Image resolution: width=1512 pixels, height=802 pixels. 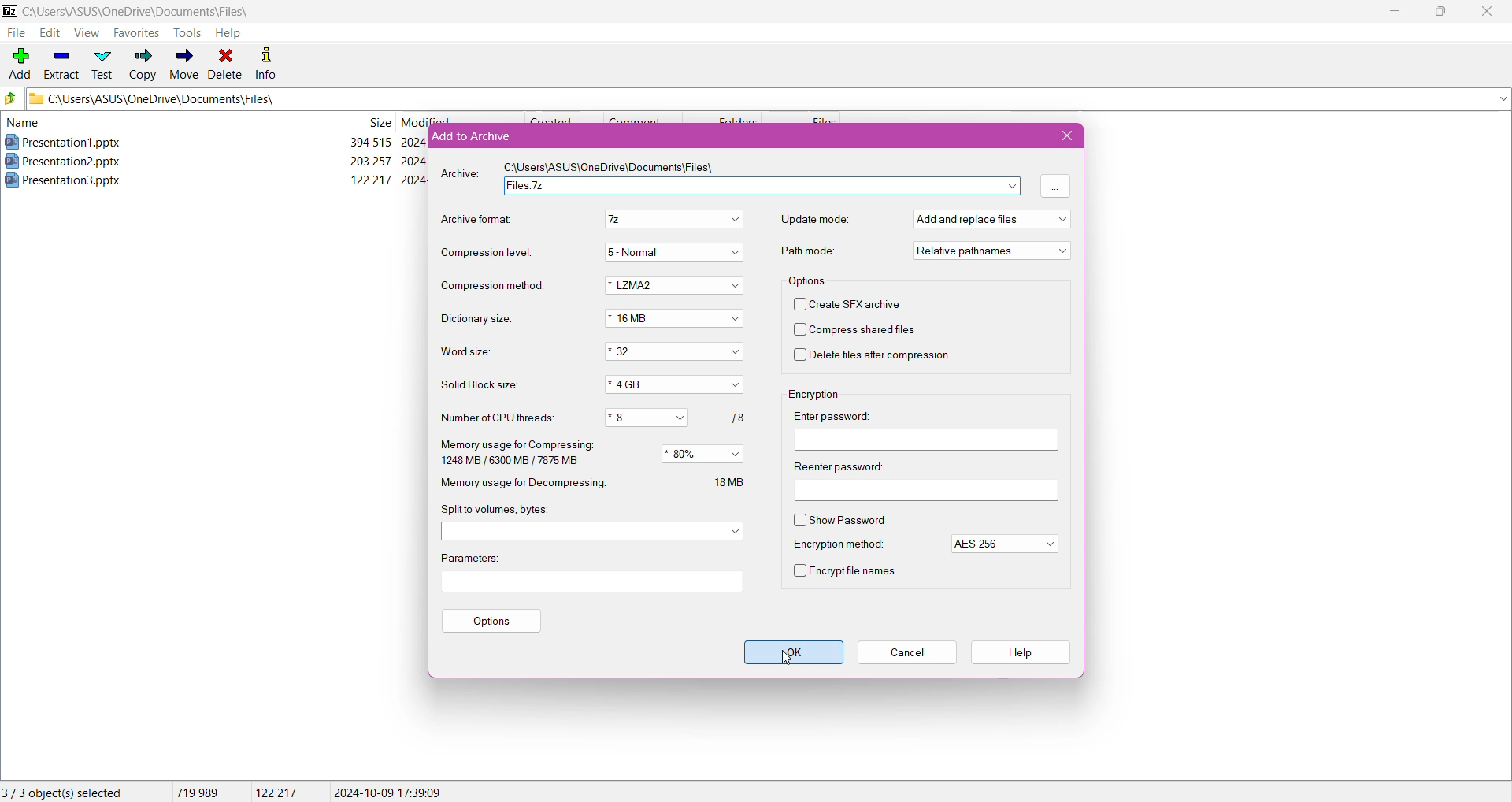 What do you see at coordinates (791, 653) in the screenshot?
I see `OK` at bounding box center [791, 653].